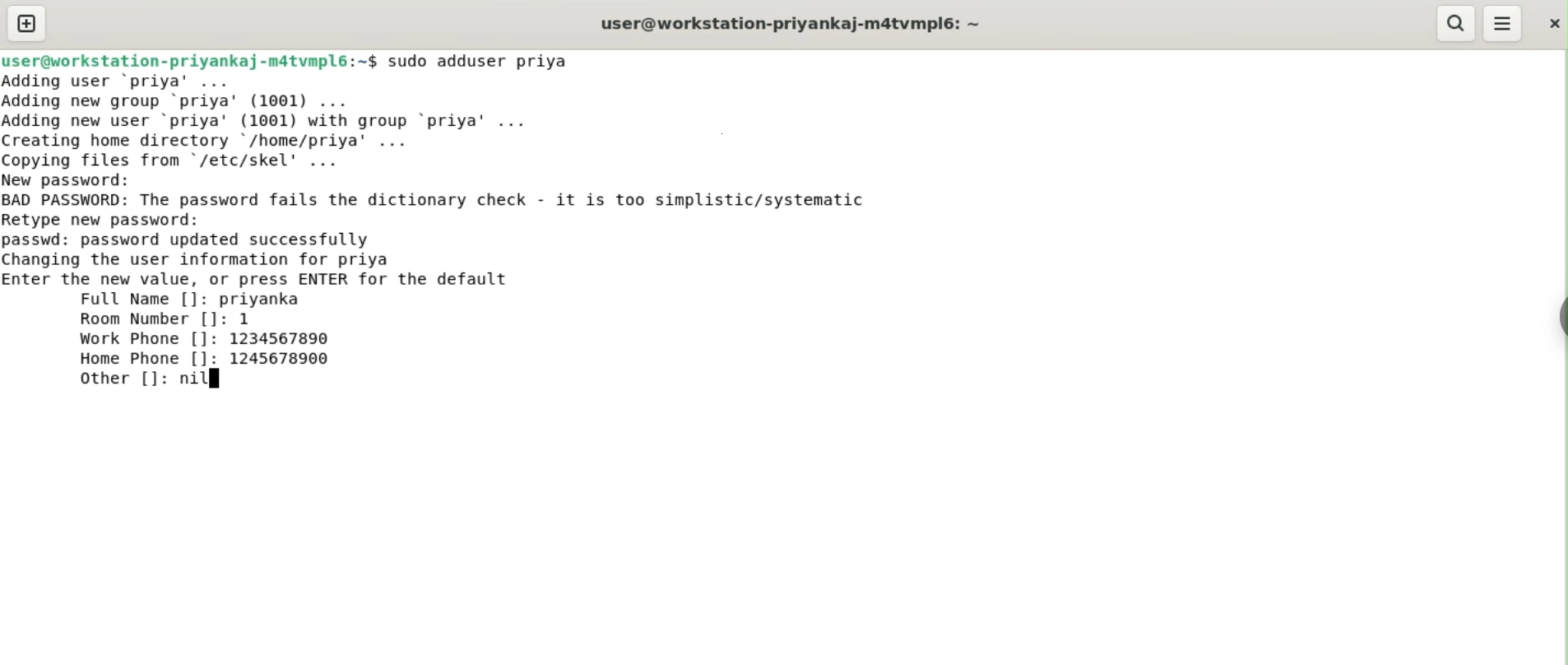 The image size is (1568, 665). I want to click on other []:, so click(118, 381).